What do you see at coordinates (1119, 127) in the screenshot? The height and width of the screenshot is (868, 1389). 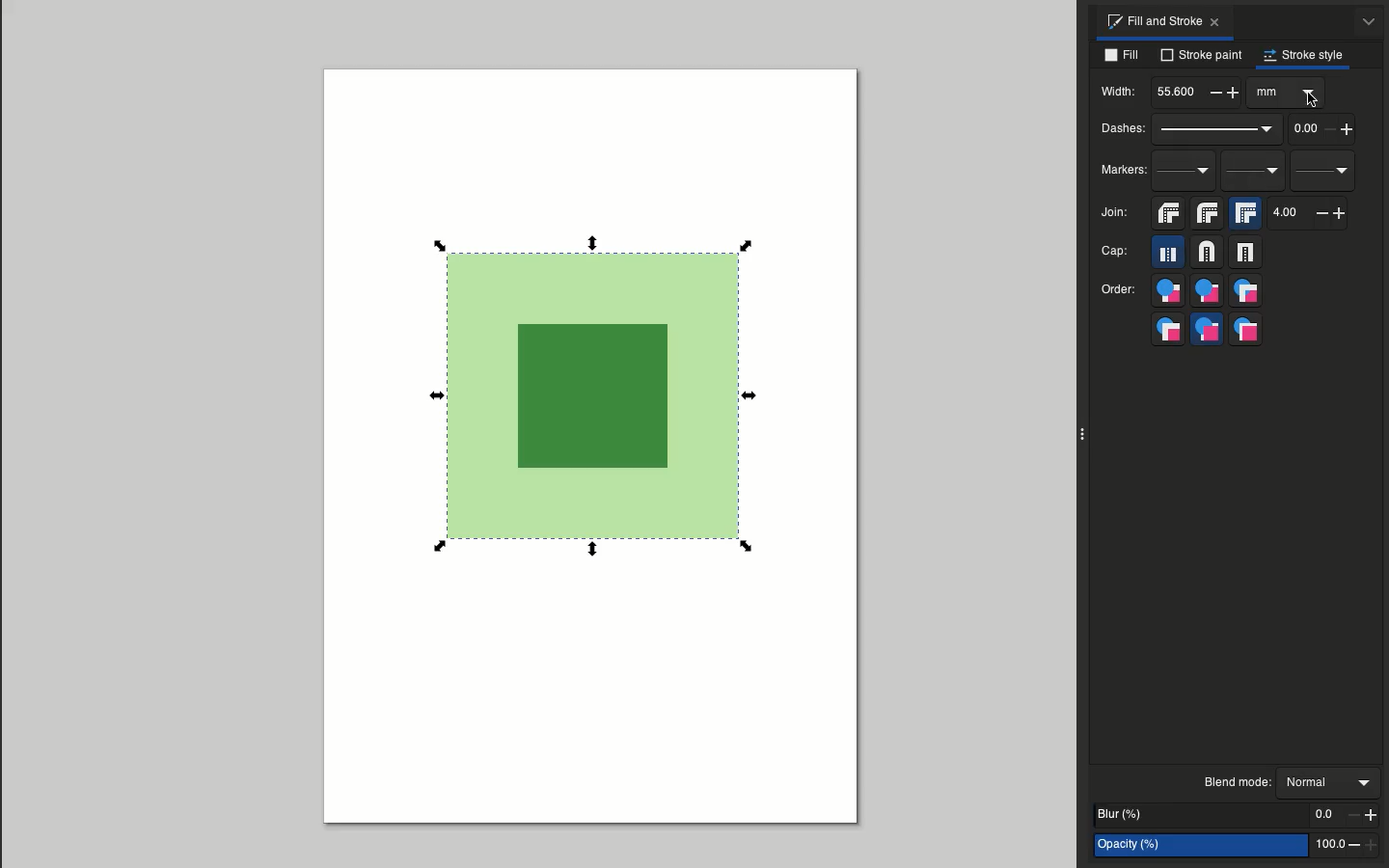 I see `Dashes` at bounding box center [1119, 127].